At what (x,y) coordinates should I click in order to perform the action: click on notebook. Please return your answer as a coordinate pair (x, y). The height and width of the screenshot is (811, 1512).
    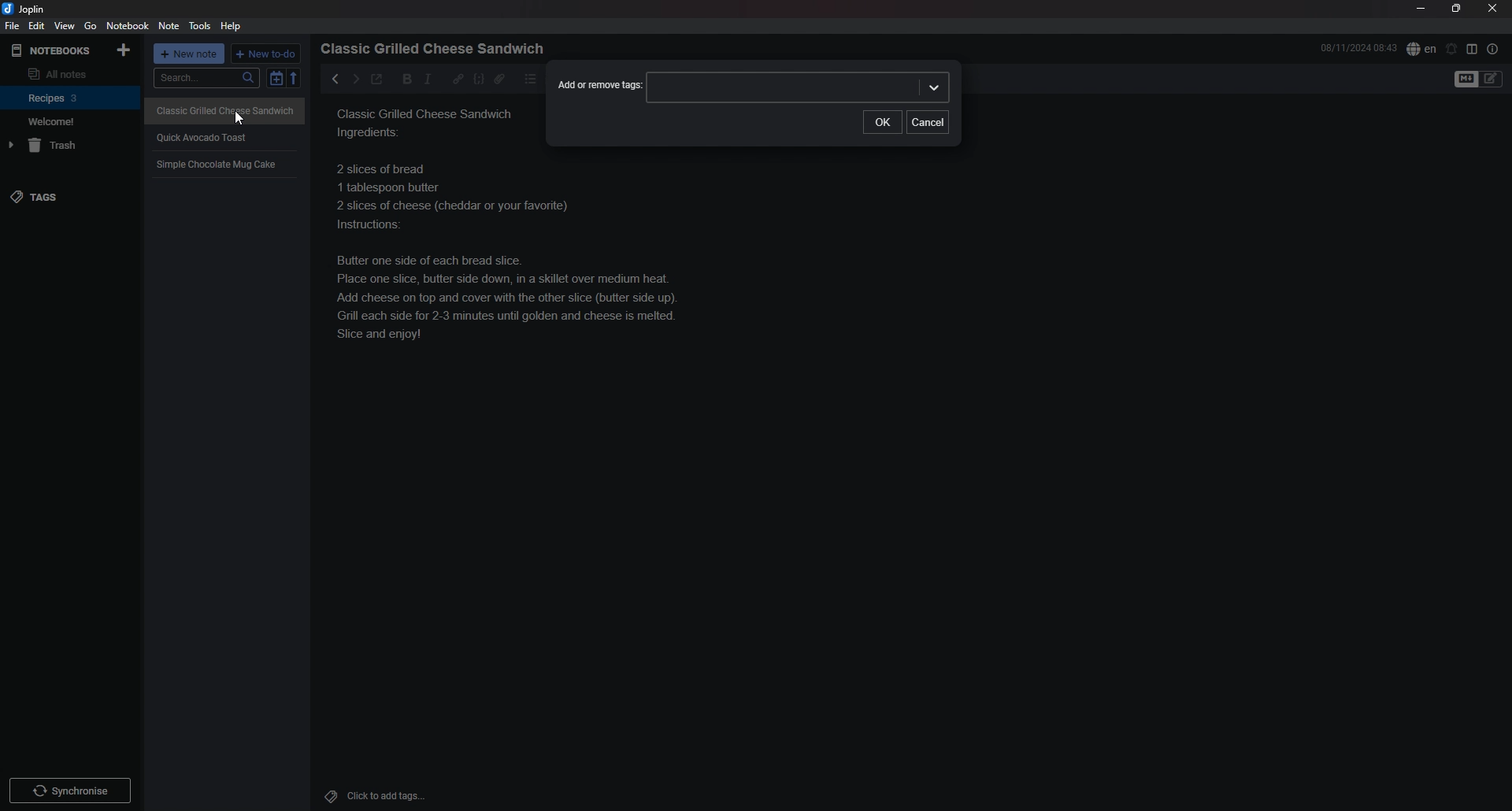
    Looking at the image, I should click on (71, 97).